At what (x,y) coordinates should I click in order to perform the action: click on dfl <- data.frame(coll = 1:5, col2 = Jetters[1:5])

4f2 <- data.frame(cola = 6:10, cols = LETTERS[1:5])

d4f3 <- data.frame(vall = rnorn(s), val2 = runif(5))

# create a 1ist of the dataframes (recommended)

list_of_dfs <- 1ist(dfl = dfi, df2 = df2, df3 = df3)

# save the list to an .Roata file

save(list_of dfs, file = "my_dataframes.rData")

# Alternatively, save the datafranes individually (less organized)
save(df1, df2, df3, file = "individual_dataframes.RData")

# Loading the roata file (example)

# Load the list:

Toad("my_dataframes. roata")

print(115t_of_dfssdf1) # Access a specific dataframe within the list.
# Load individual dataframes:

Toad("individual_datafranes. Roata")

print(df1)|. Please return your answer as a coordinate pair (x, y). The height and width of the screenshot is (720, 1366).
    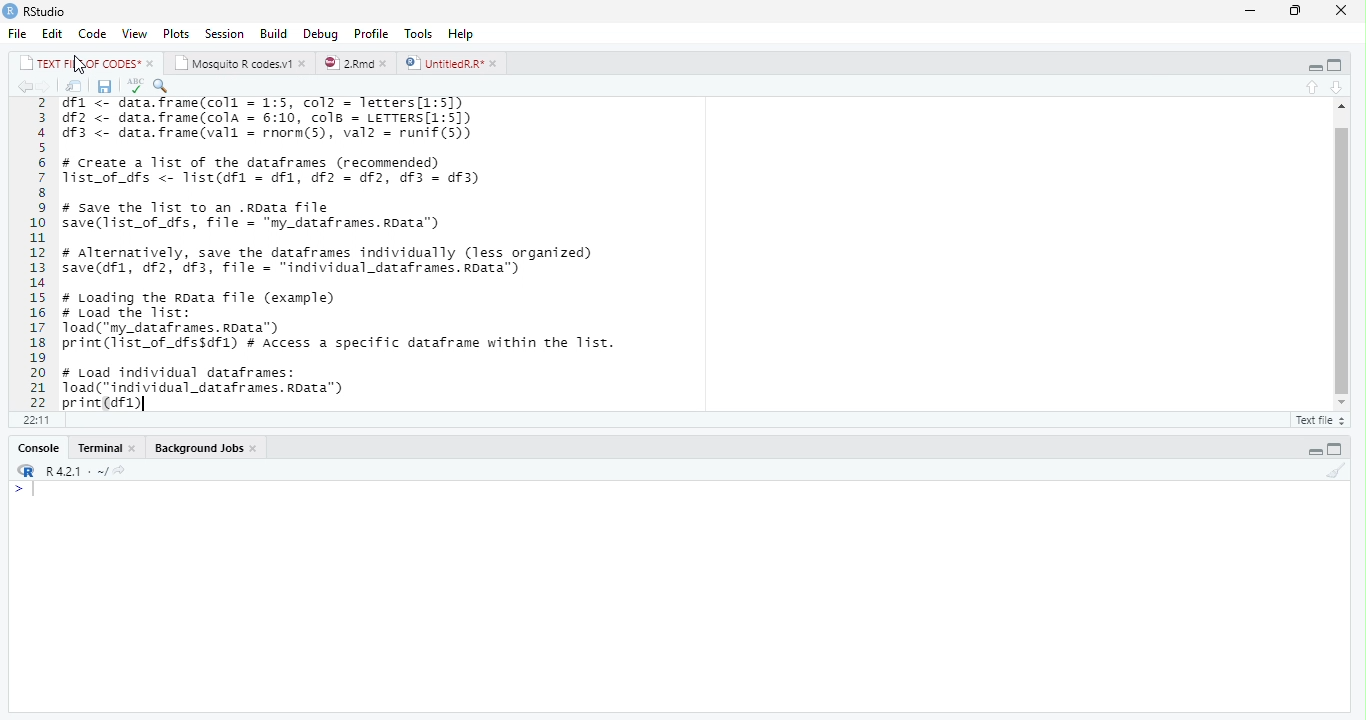
    Looking at the image, I should click on (355, 253).